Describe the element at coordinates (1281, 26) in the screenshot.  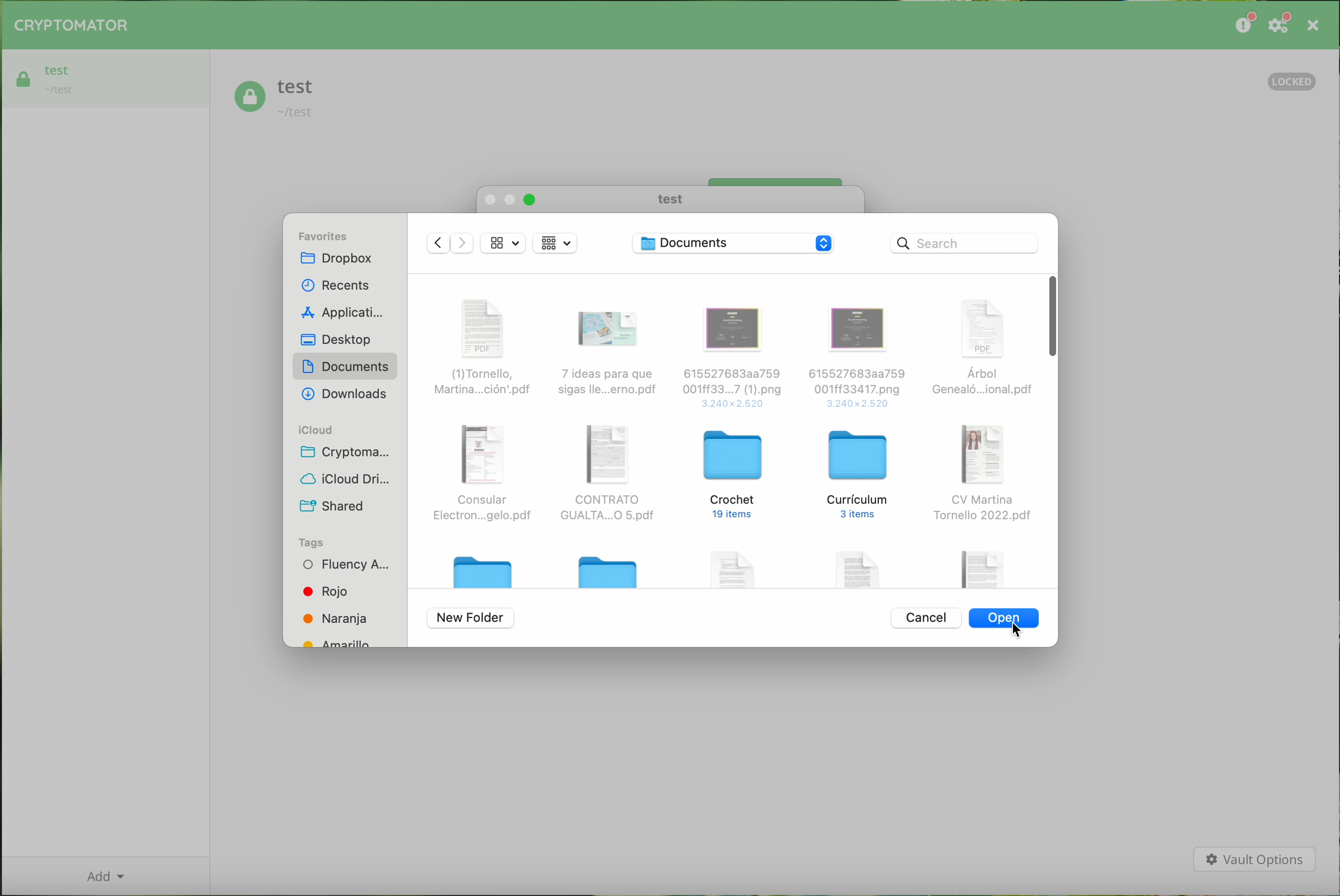
I see `settings` at that location.